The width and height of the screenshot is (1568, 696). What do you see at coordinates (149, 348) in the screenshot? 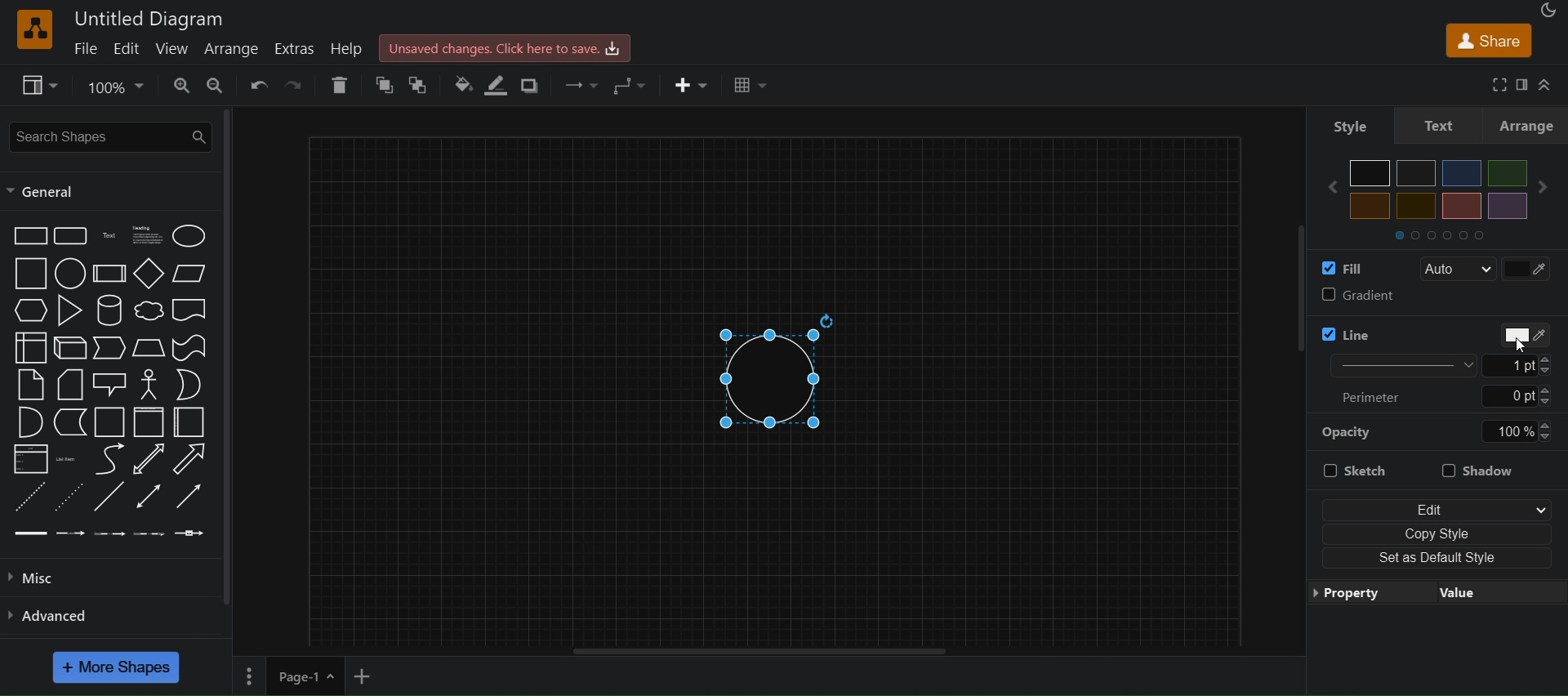
I see `trapezoid` at bounding box center [149, 348].